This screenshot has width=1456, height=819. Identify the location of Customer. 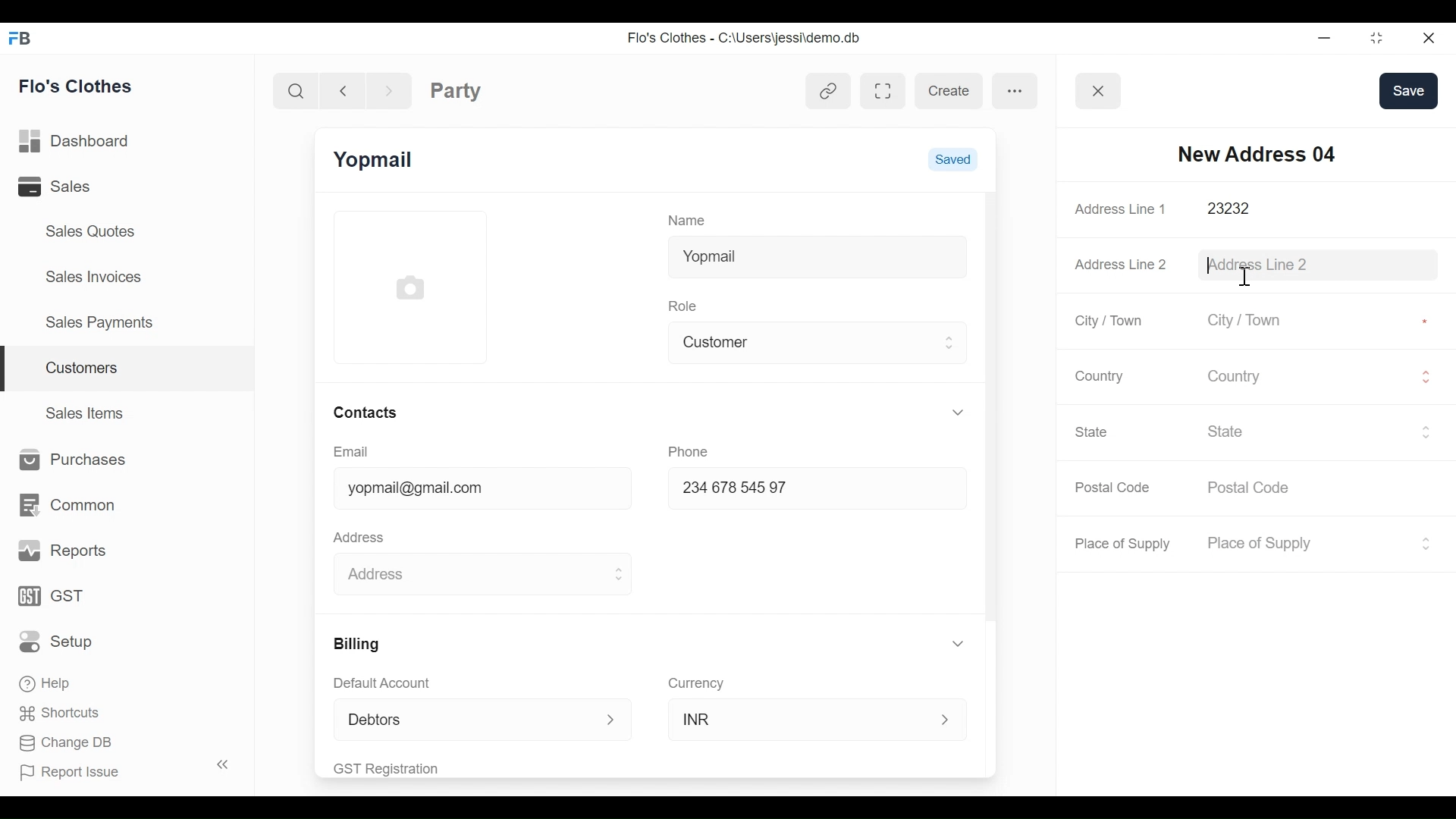
(806, 340).